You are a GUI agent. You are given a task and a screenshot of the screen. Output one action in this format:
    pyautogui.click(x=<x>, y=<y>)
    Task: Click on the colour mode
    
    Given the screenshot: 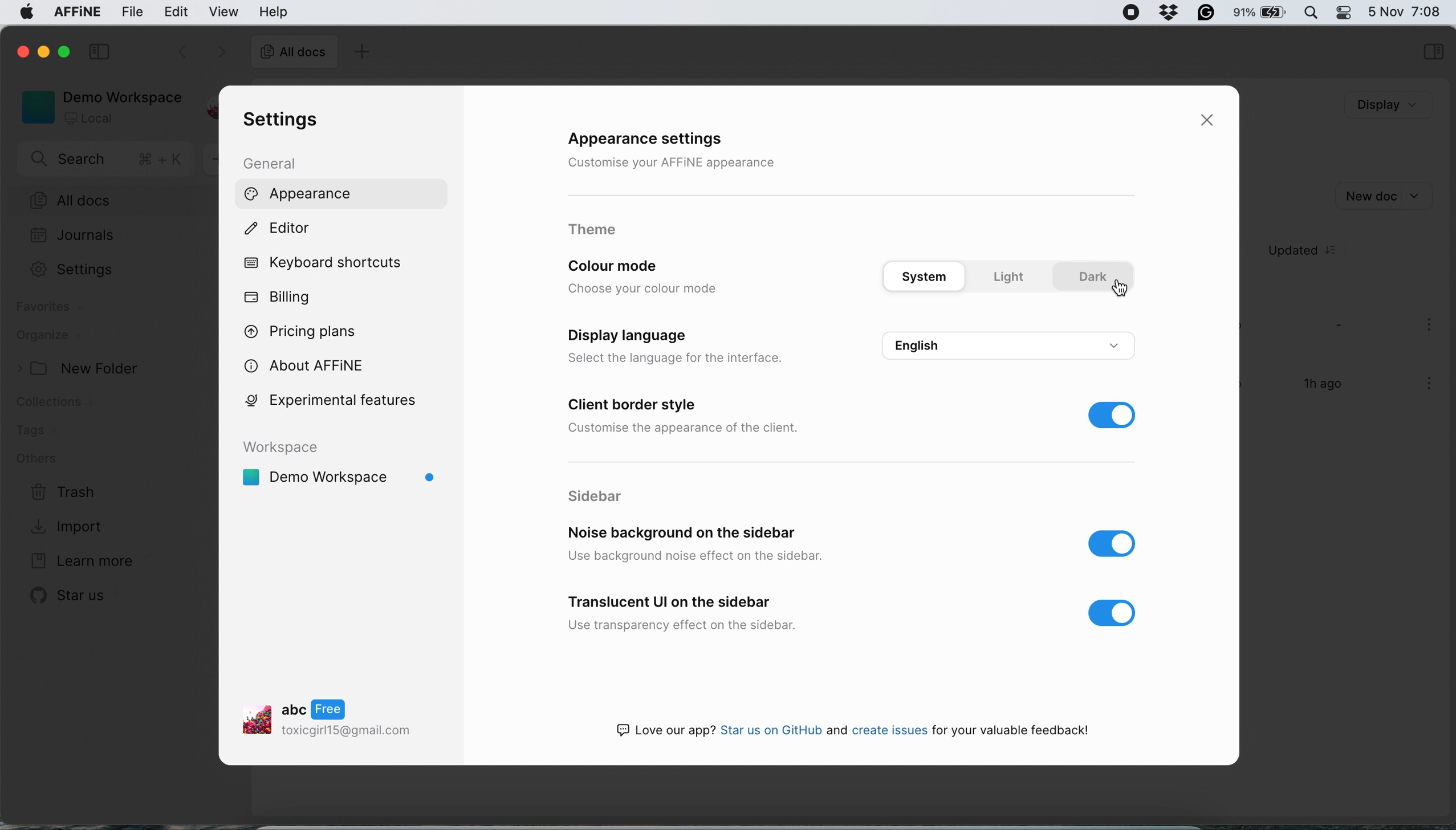 What is the action you would take?
    pyautogui.click(x=635, y=265)
    